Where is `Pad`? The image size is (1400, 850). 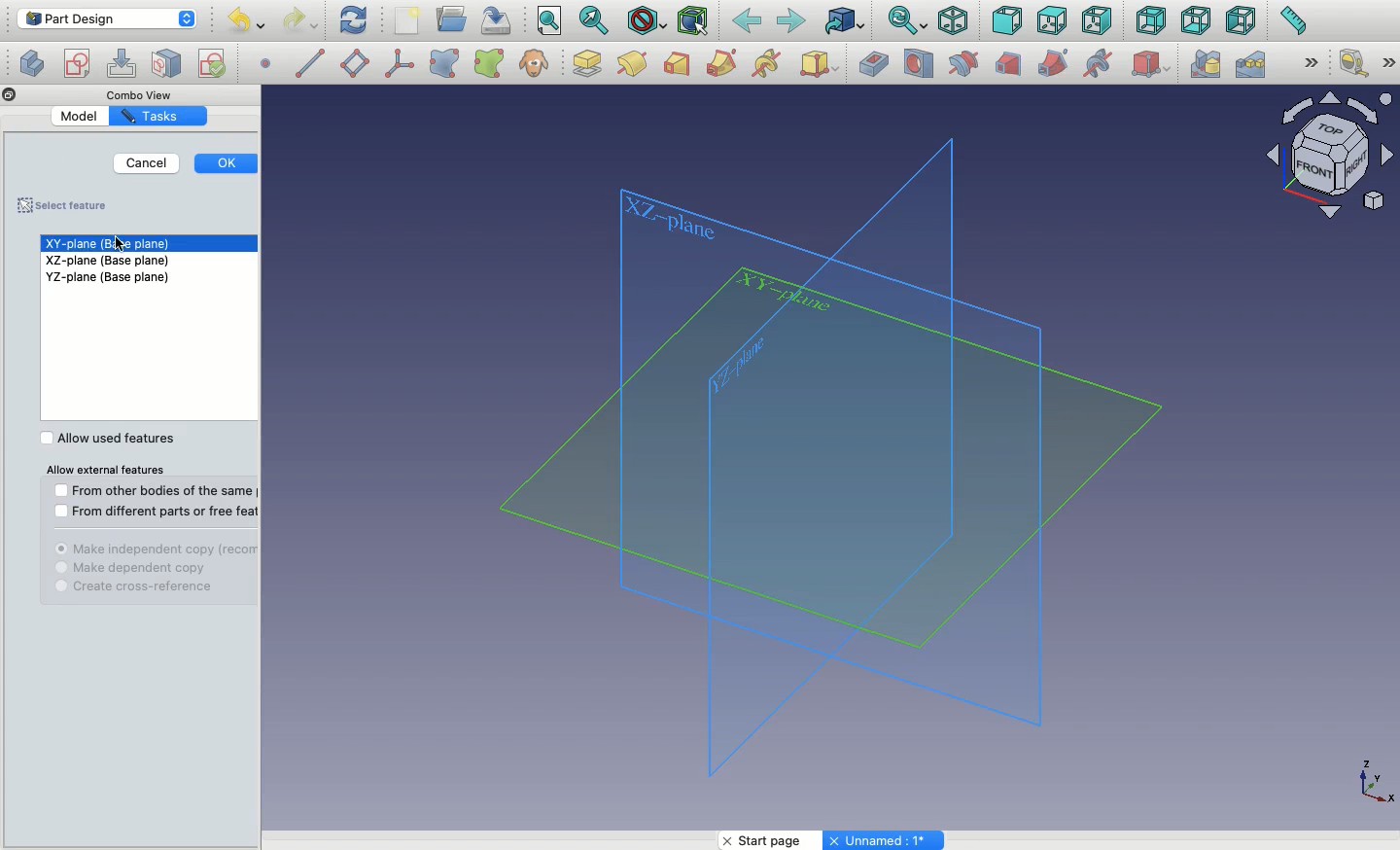 Pad is located at coordinates (588, 63).